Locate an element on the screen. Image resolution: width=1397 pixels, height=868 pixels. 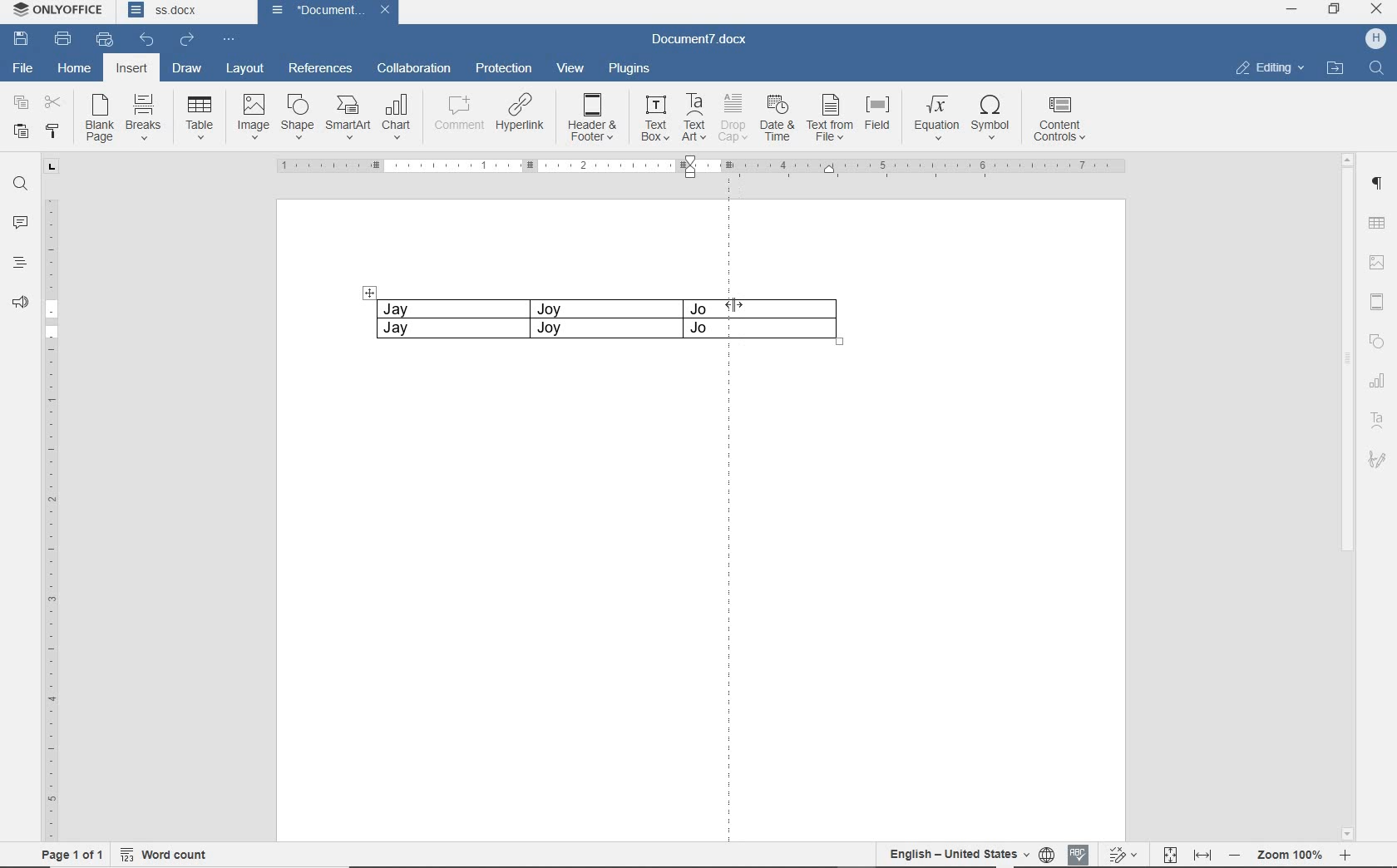
VIEW is located at coordinates (571, 67).